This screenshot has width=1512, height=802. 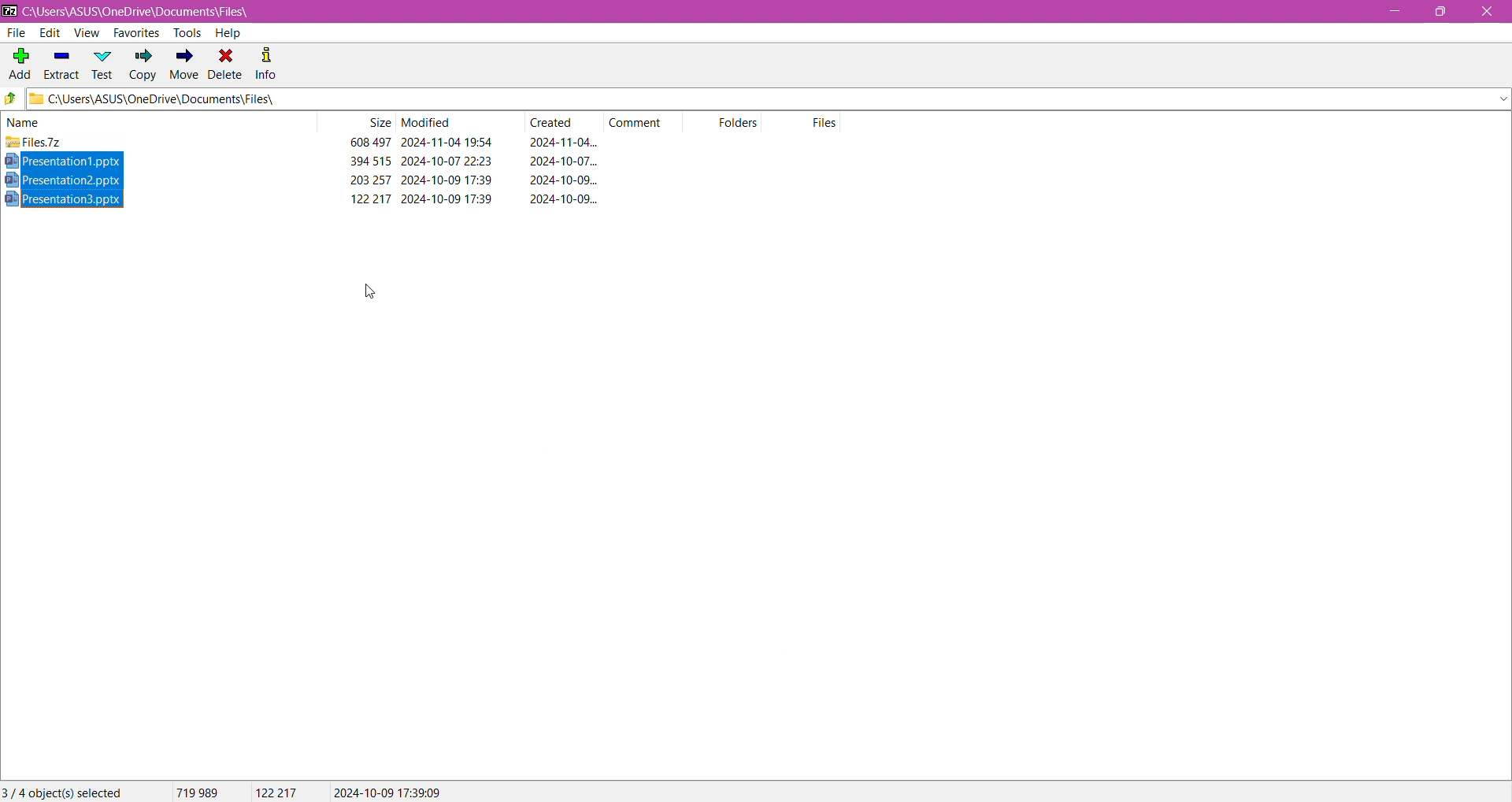 What do you see at coordinates (143, 66) in the screenshot?
I see `Copy` at bounding box center [143, 66].